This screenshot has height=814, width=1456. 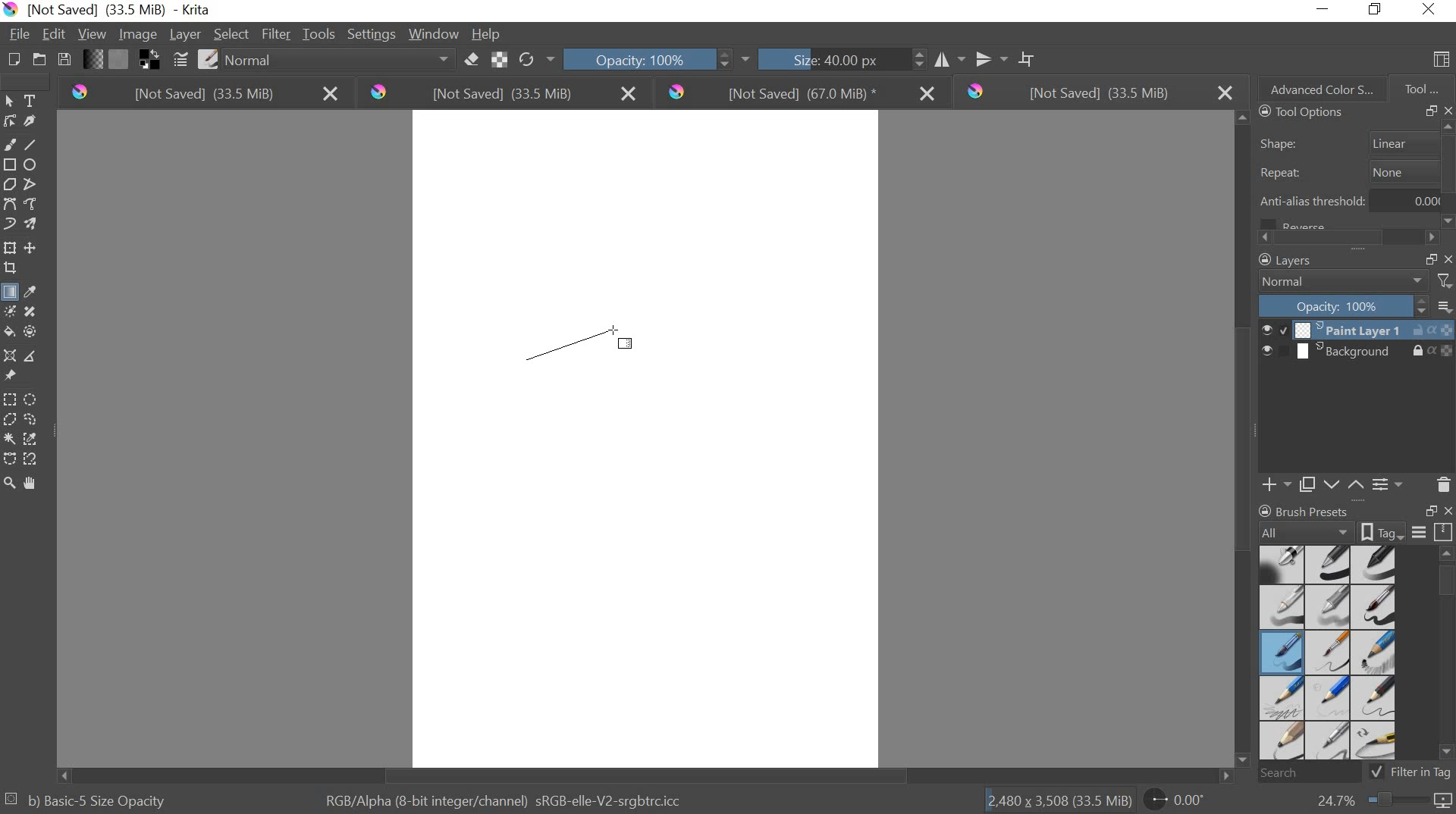 What do you see at coordinates (33, 101) in the screenshot?
I see `text` at bounding box center [33, 101].